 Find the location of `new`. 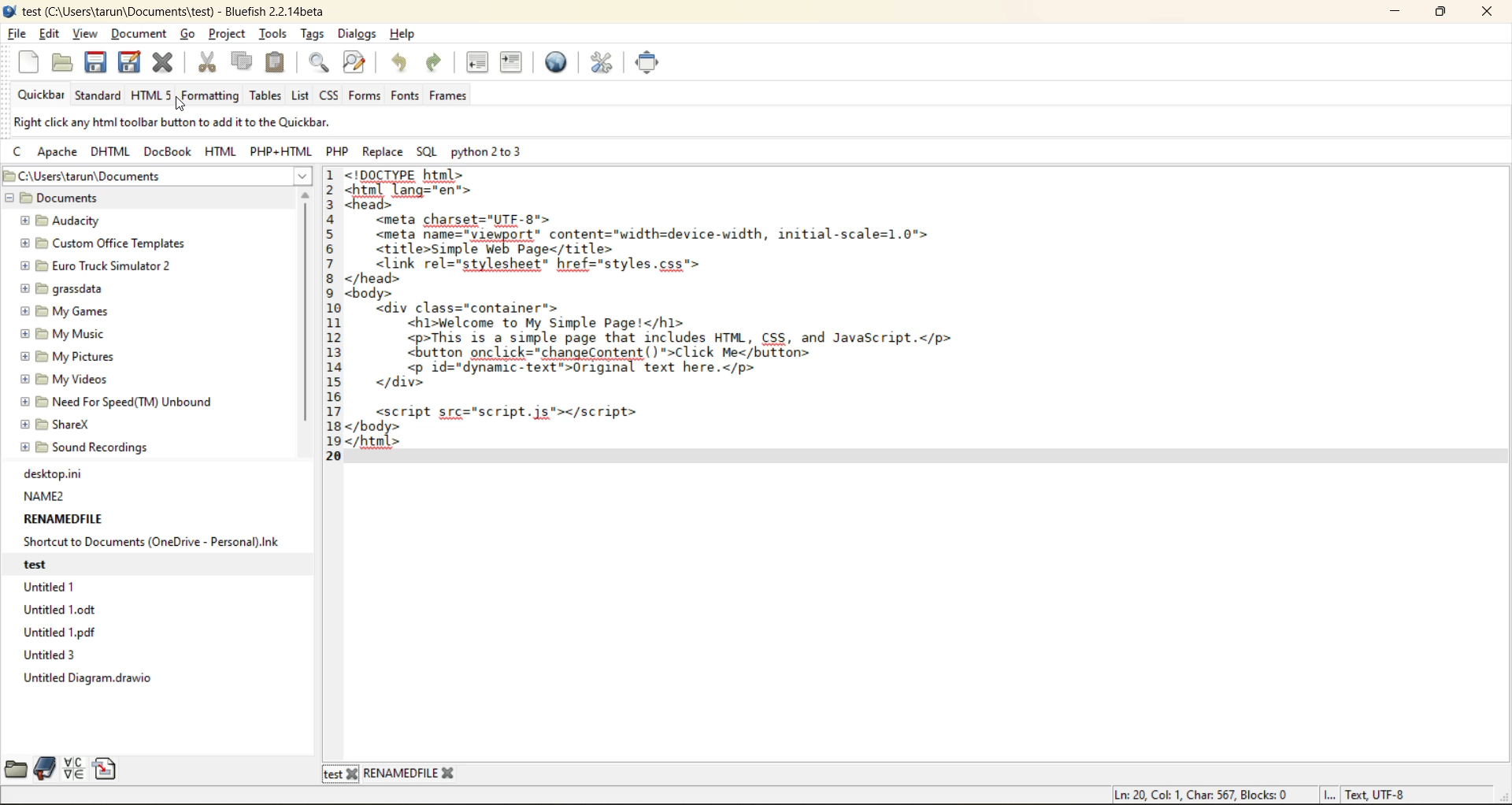

new is located at coordinates (32, 62).